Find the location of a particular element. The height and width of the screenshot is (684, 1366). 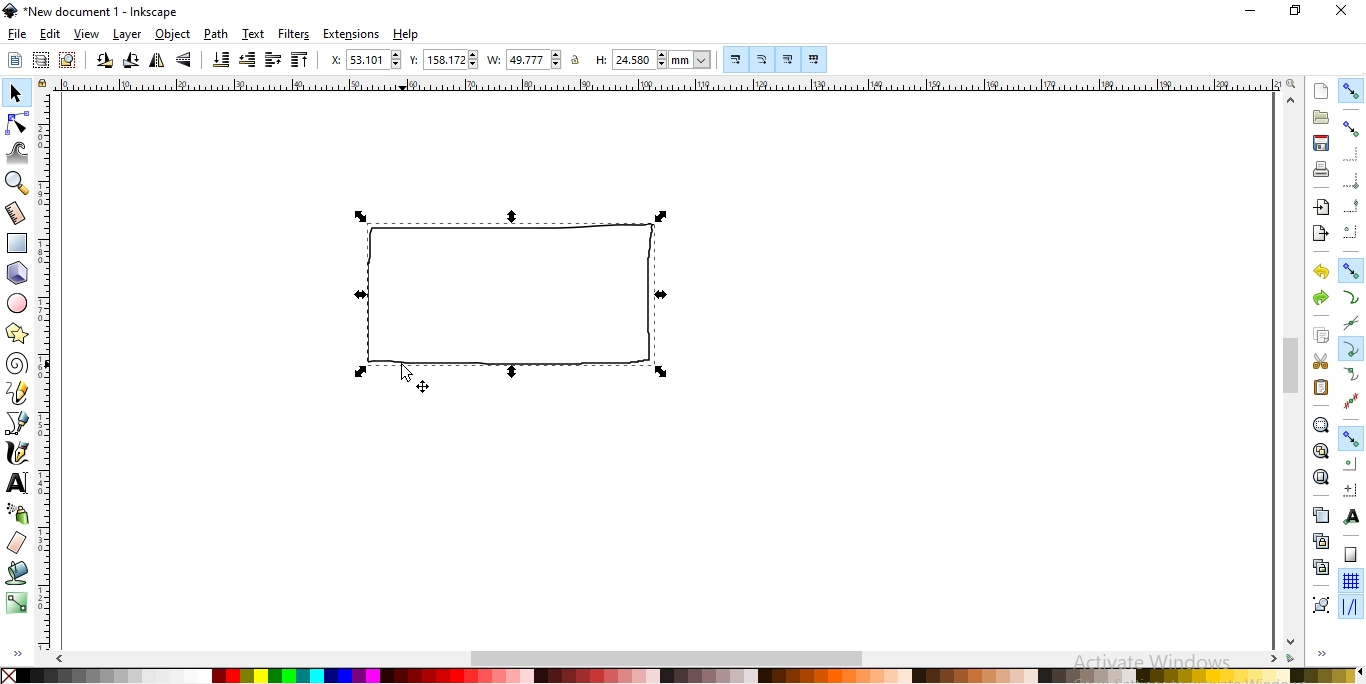

lower selction one step is located at coordinates (246, 59).